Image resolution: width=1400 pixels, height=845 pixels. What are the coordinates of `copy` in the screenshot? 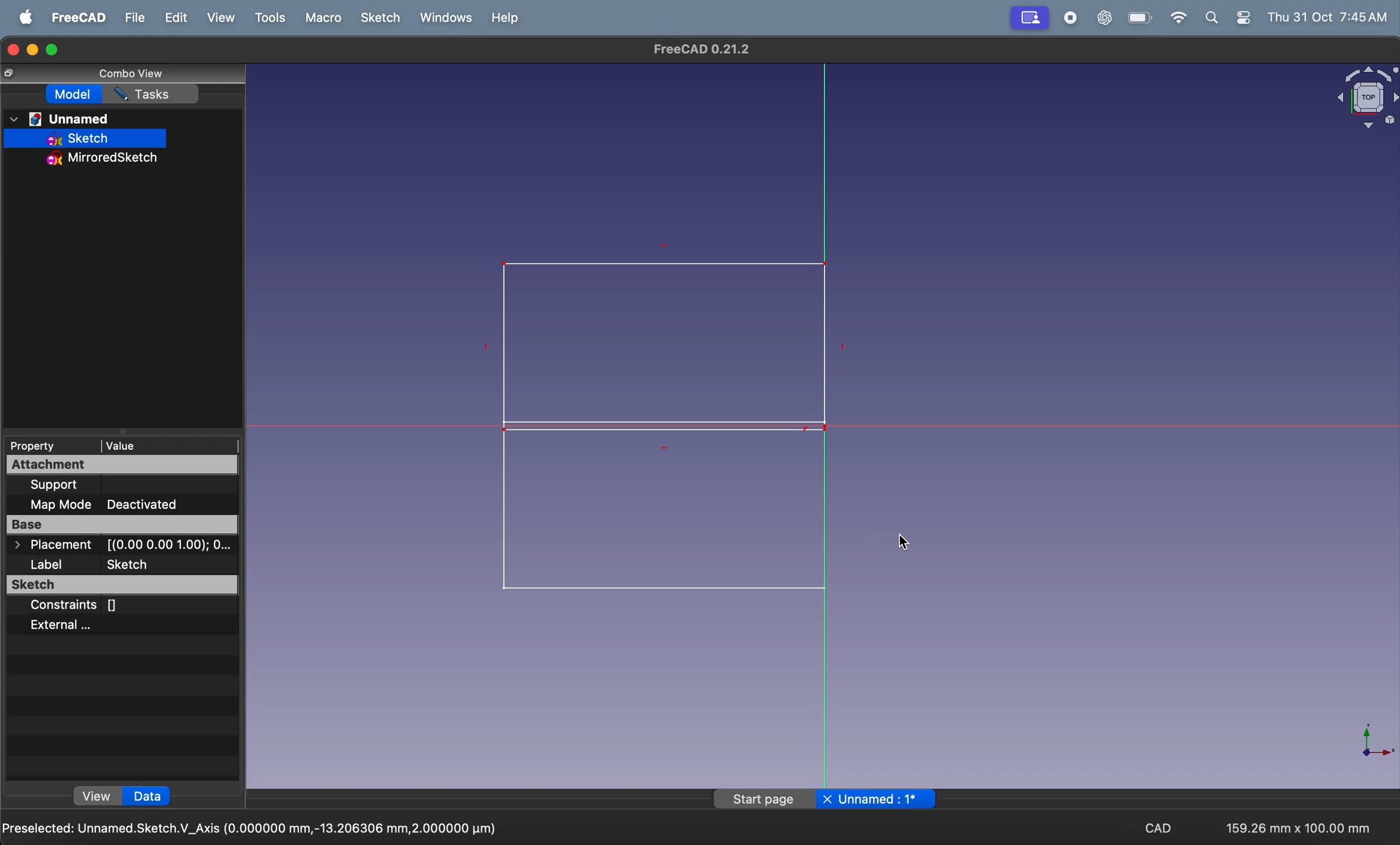 It's located at (14, 74).